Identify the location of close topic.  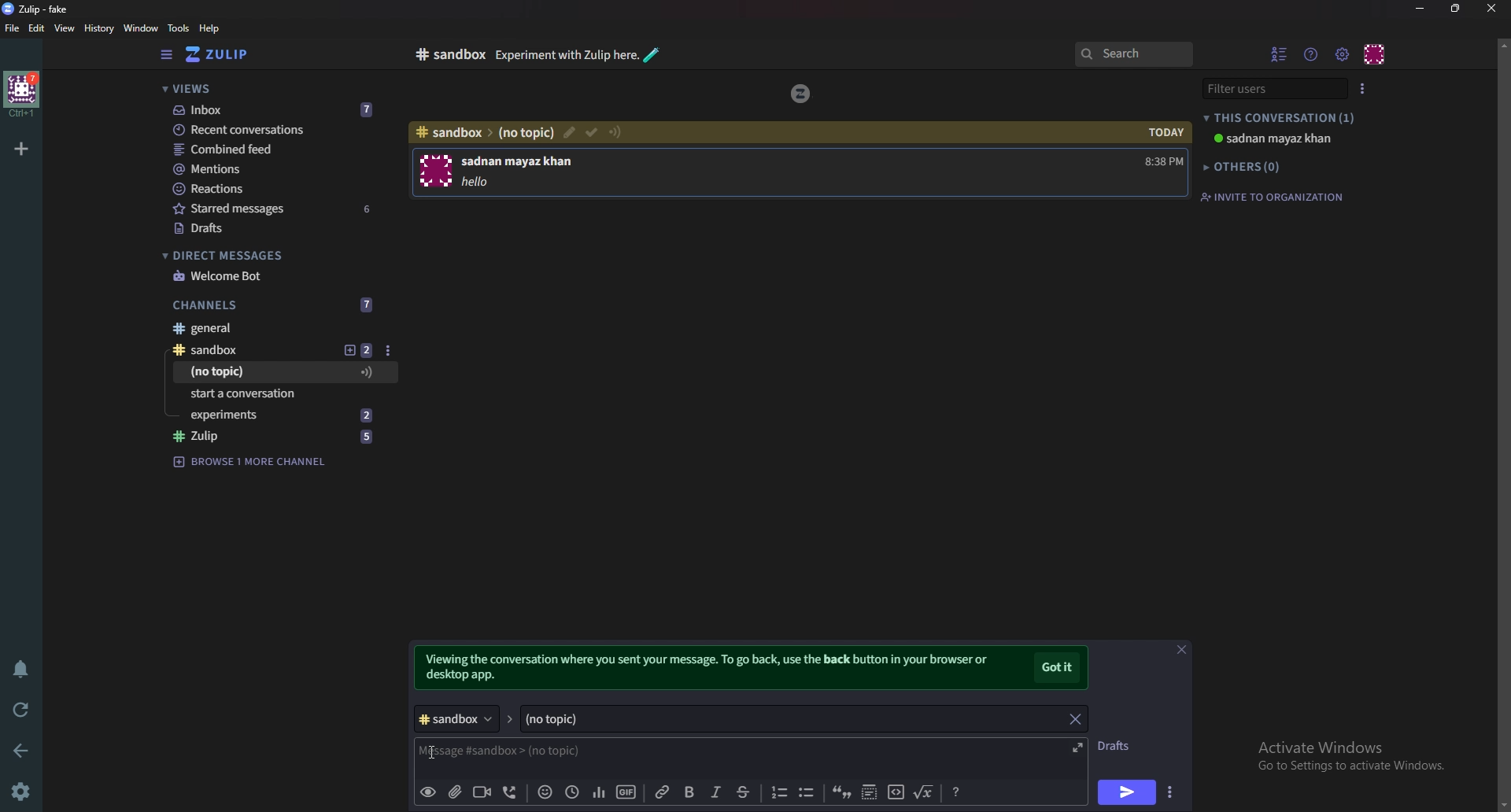
(1075, 718).